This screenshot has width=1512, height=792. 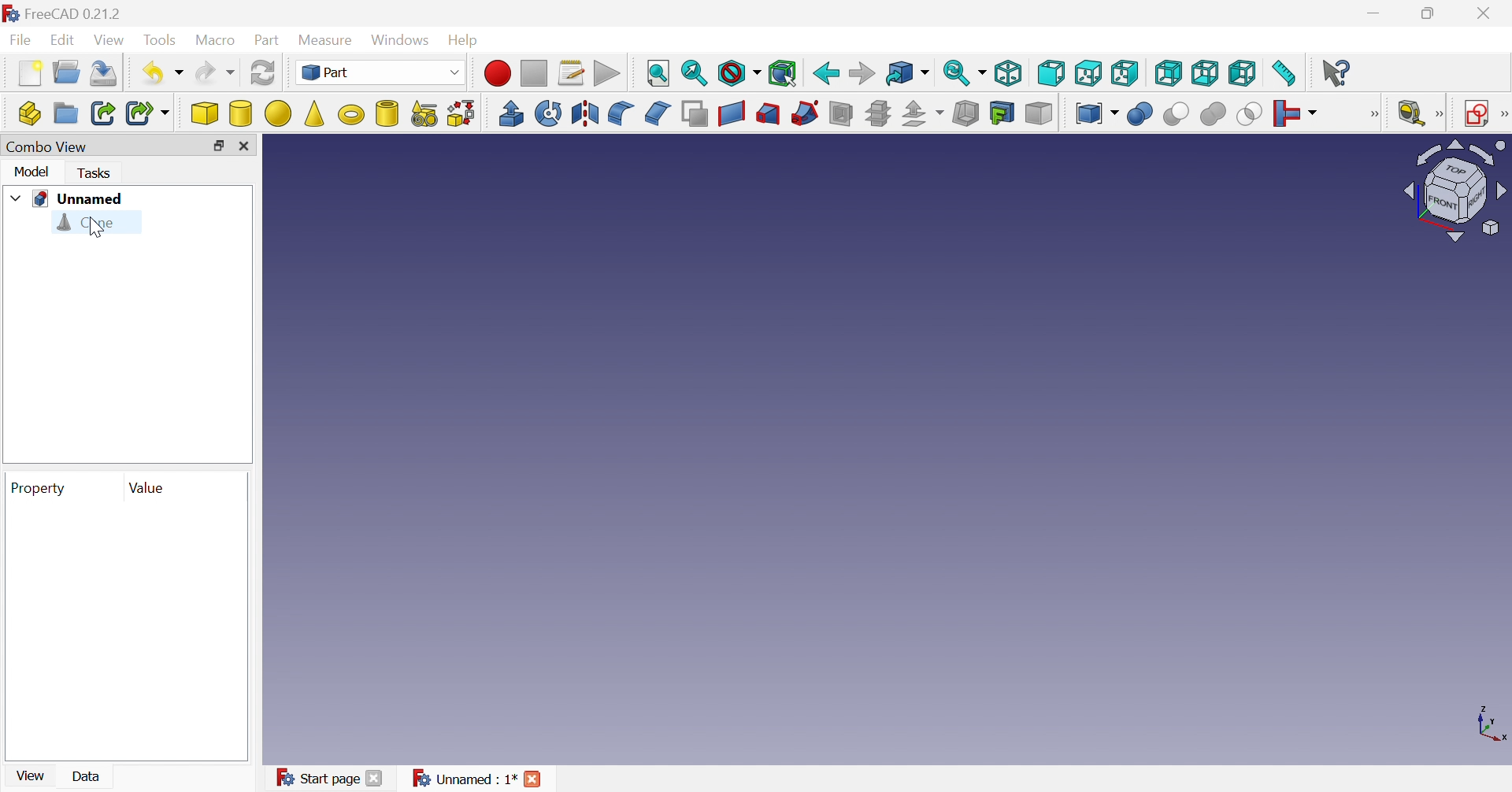 I want to click on Help, so click(x=465, y=41).